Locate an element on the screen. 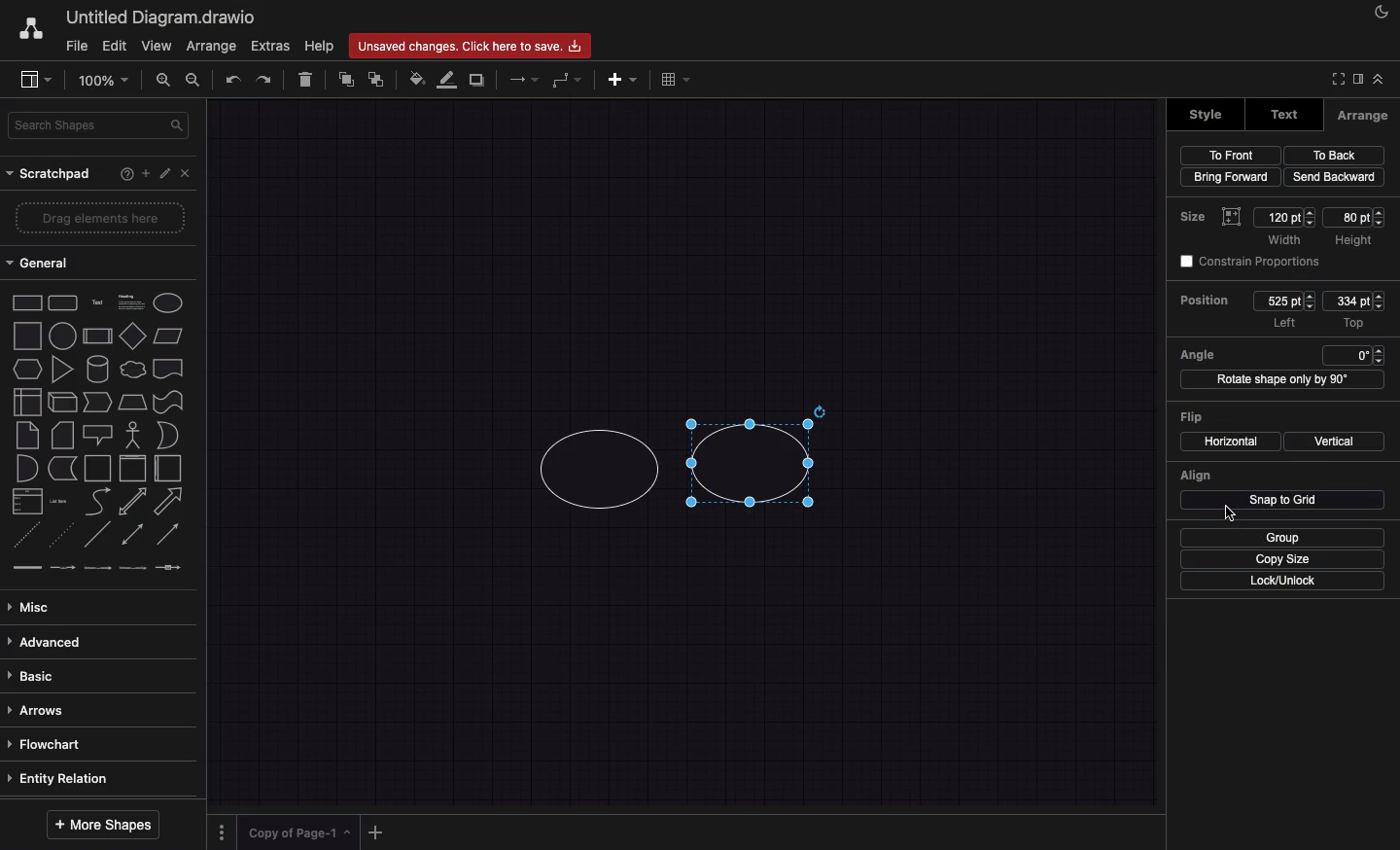 The height and width of the screenshot is (850, 1400). redo is located at coordinates (265, 79).